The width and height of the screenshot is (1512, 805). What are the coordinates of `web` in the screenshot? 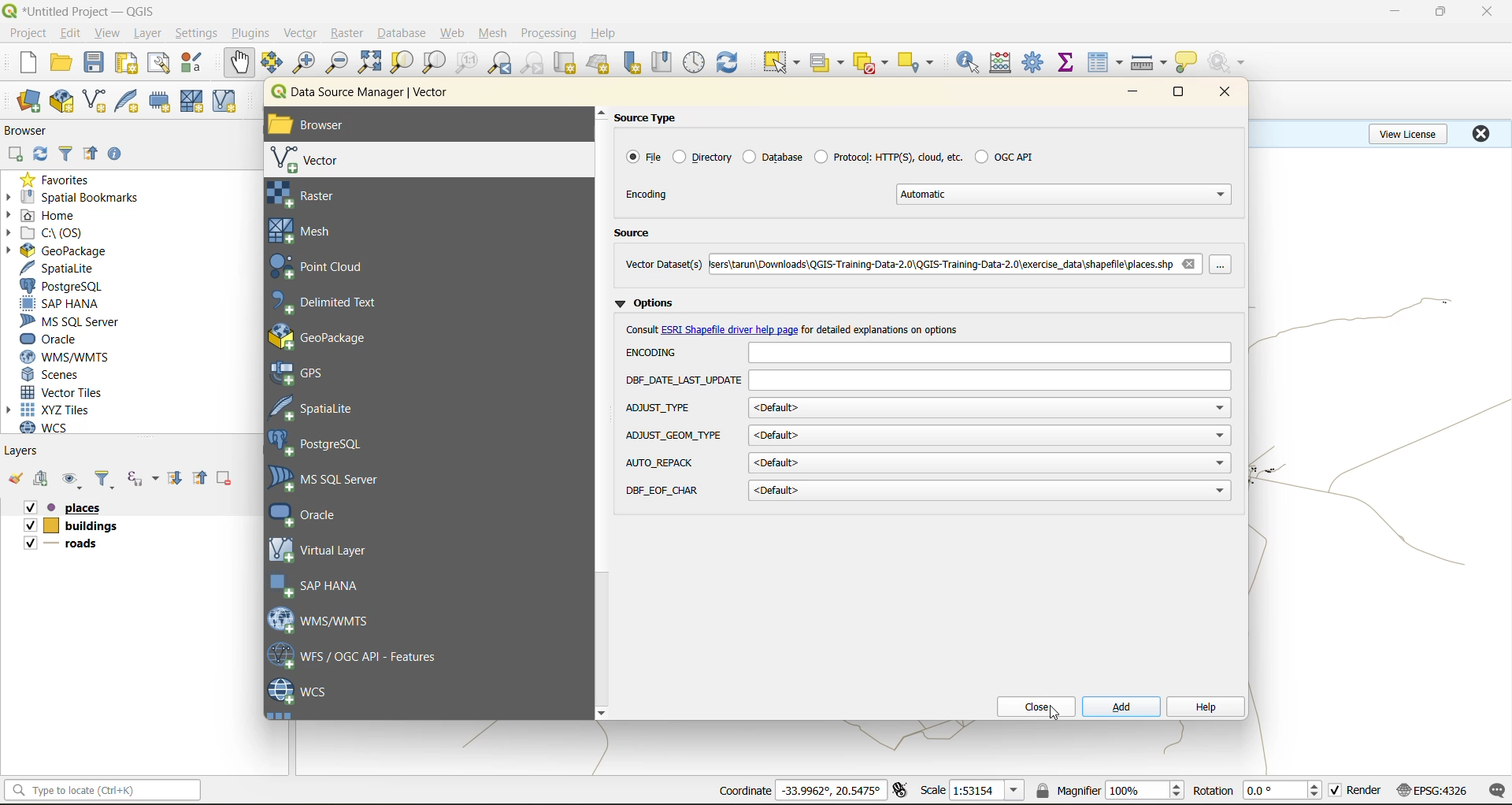 It's located at (453, 33).